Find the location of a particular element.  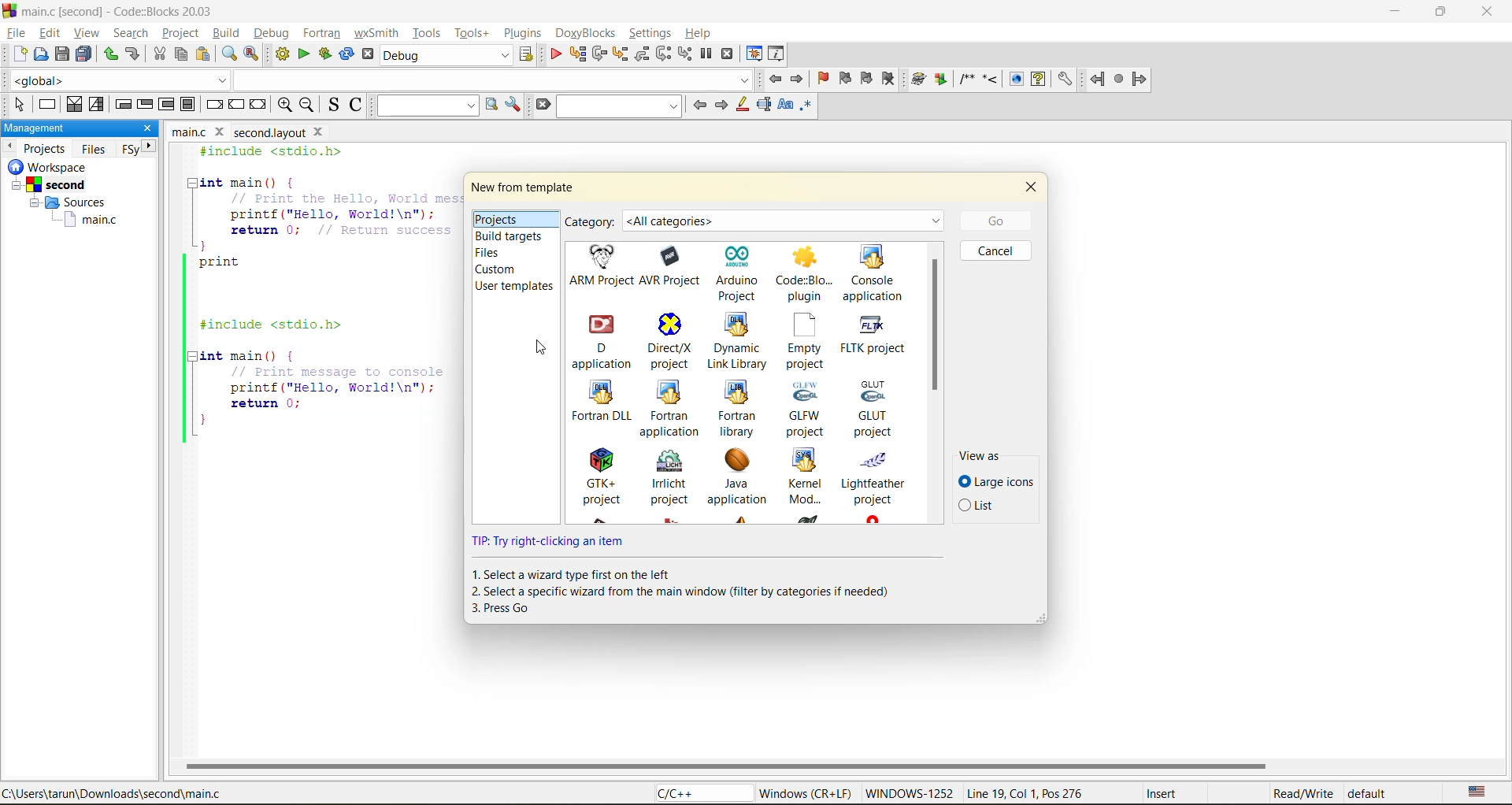

avr project is located at coordinates (674, 267).